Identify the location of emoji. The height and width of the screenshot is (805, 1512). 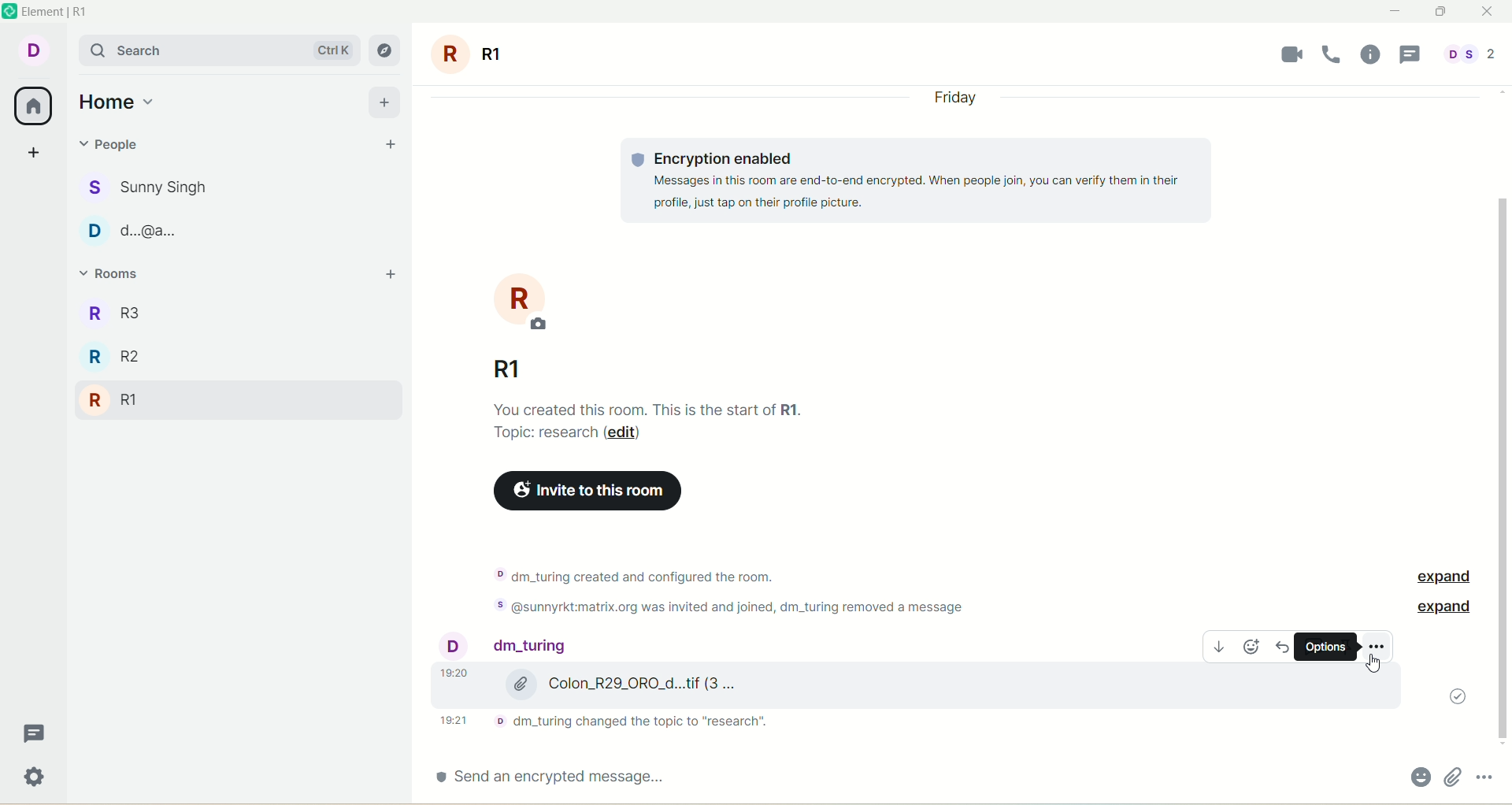
(1254, 644).